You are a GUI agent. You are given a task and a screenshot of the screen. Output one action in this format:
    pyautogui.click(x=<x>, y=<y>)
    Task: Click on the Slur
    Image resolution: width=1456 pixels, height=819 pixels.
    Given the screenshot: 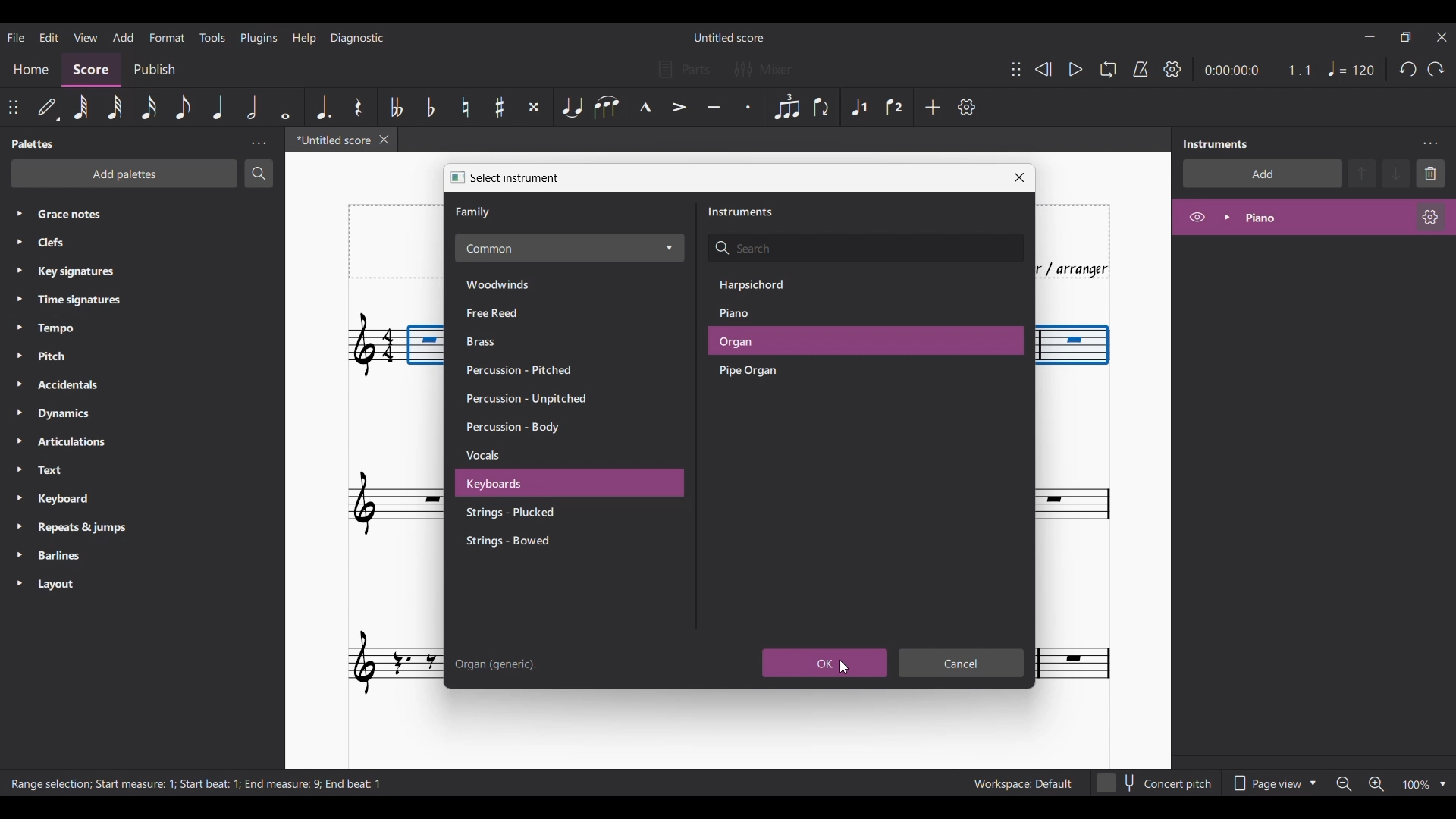 What is the action you would take?
    pyautogui.click(x=606, y=107)
    